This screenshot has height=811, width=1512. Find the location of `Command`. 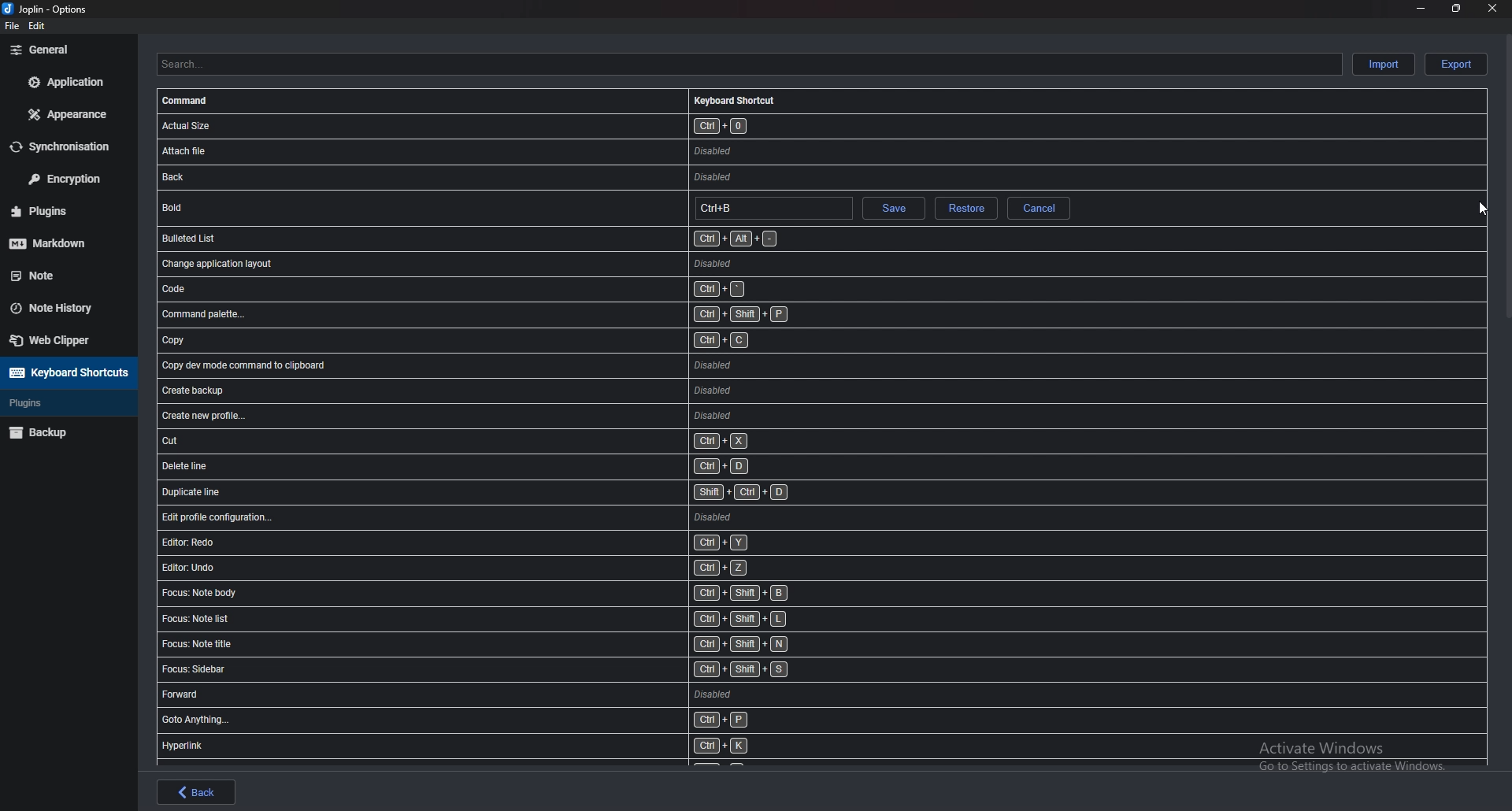

Command is located at coordinates (192, 100).